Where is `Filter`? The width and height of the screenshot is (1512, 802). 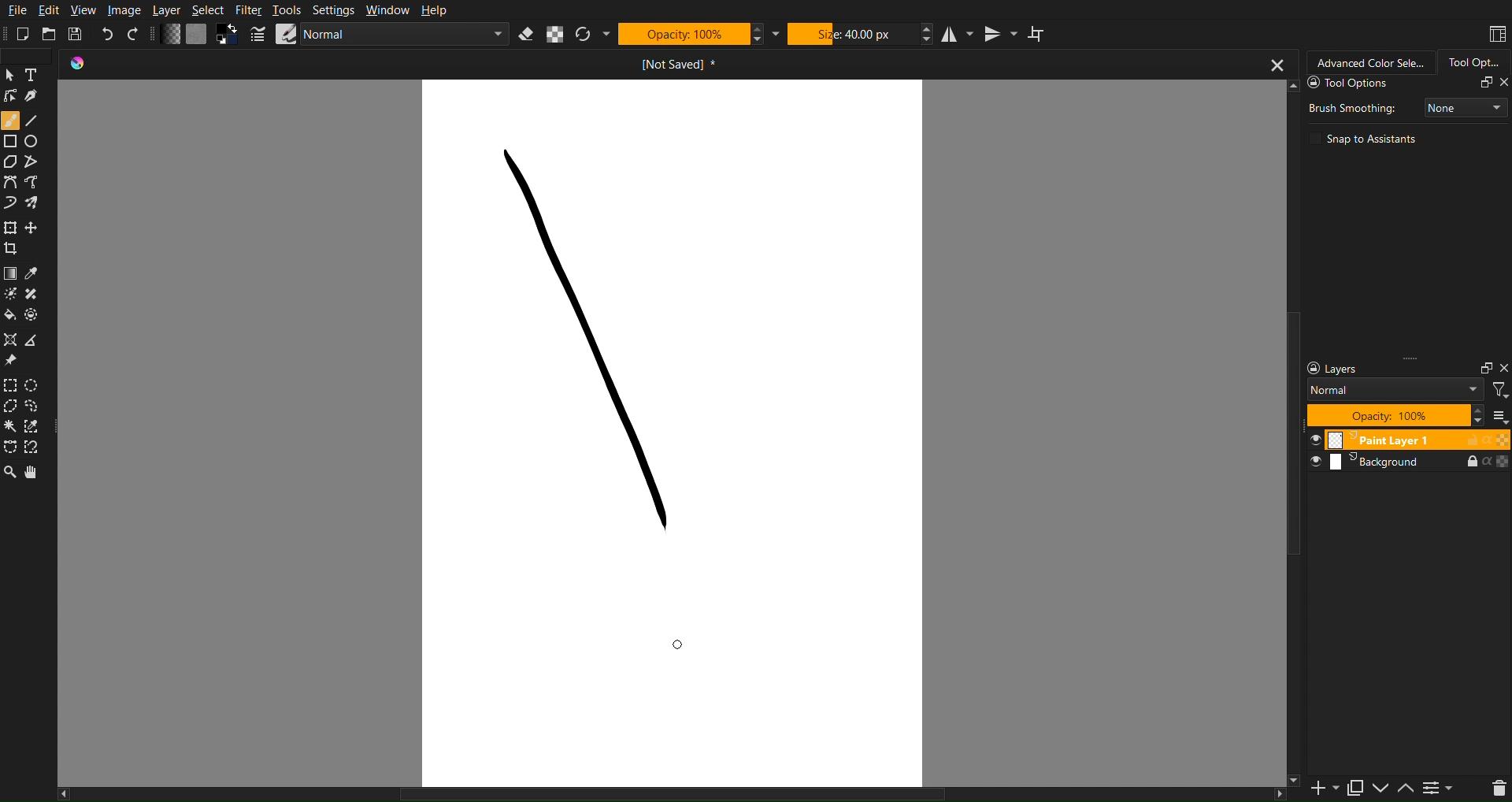 Filter is located at coordinates (1500, 391).